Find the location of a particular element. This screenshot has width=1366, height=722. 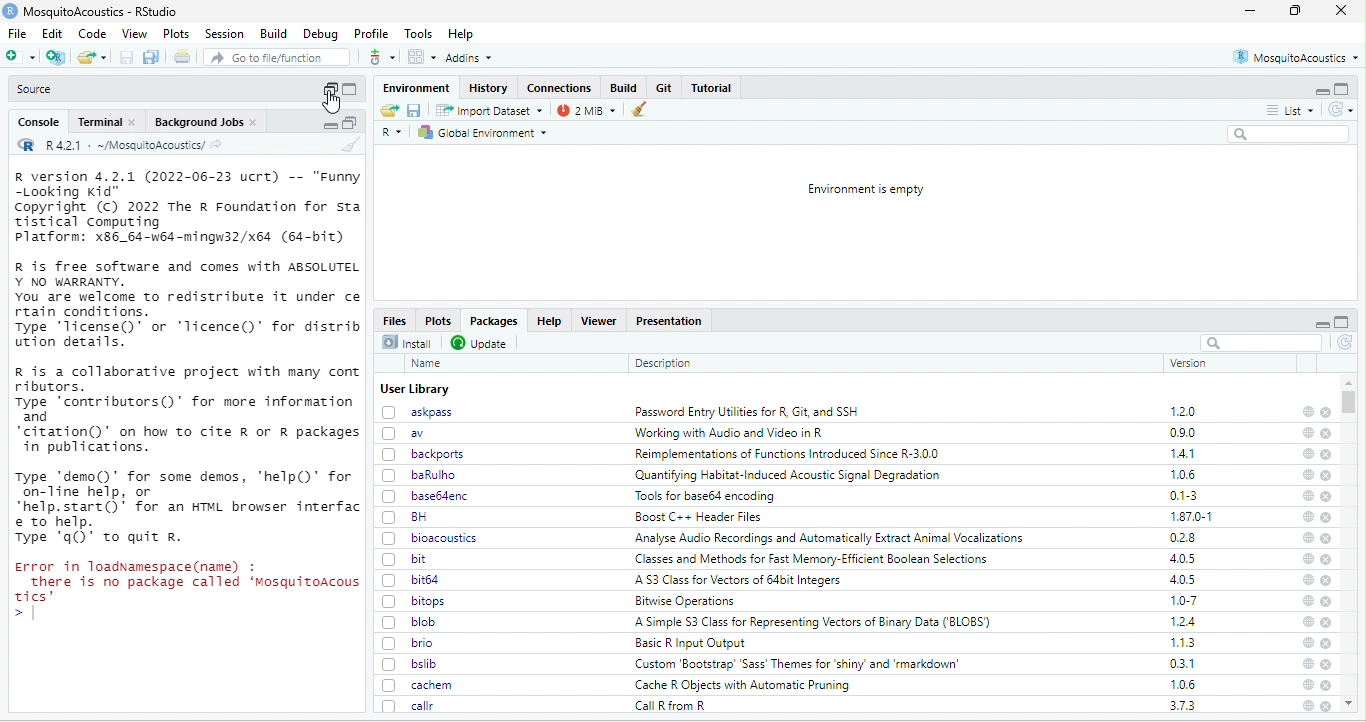

create a project is located at coordinates (56, 57).